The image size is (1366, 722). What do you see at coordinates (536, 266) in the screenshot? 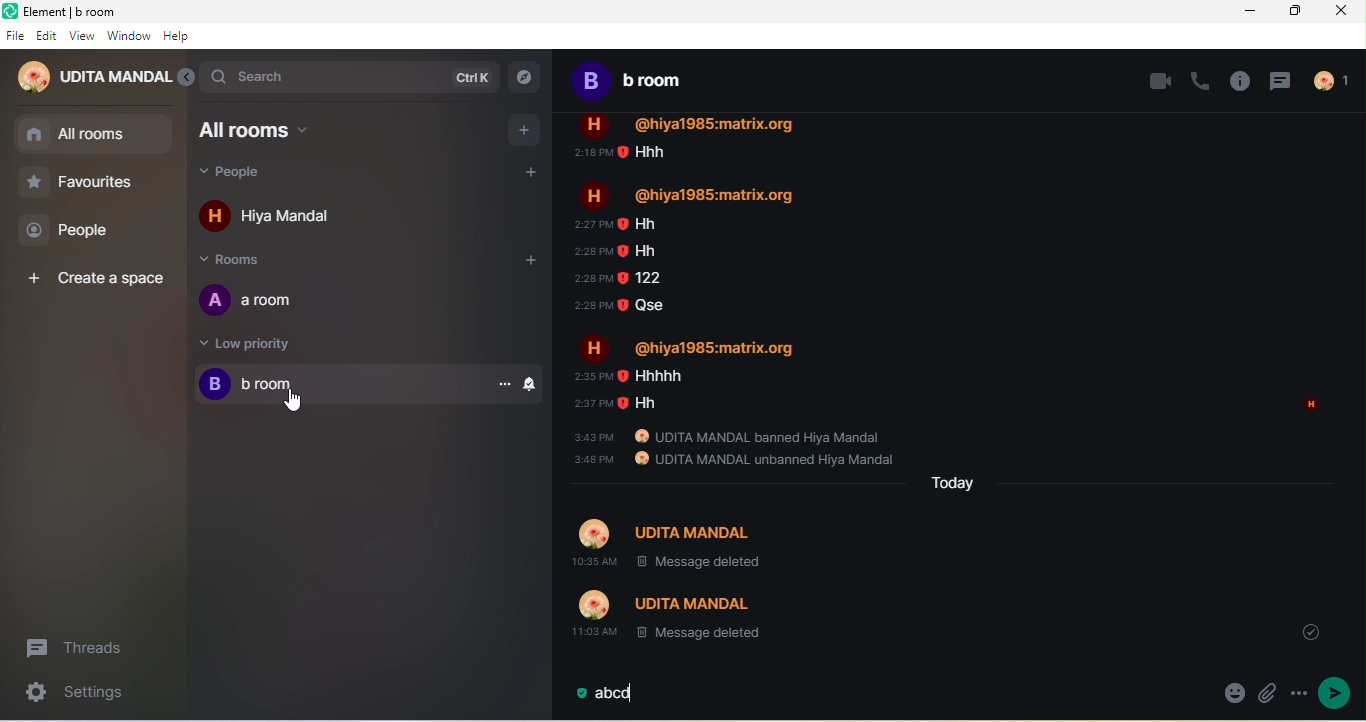
I see `add room` at bounding box center [536, 266].